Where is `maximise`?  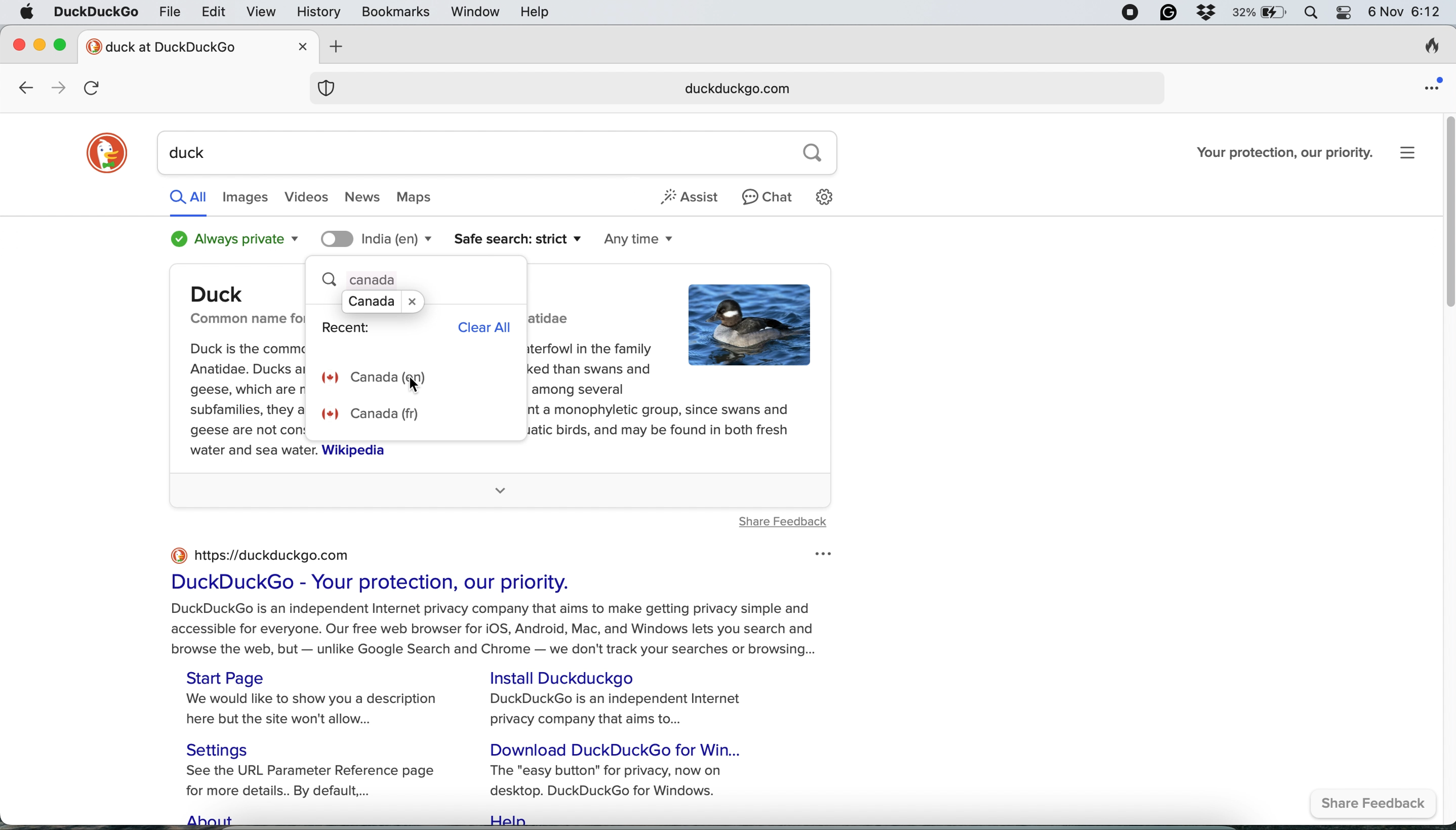 maximise is located at coordinates (66, 44).